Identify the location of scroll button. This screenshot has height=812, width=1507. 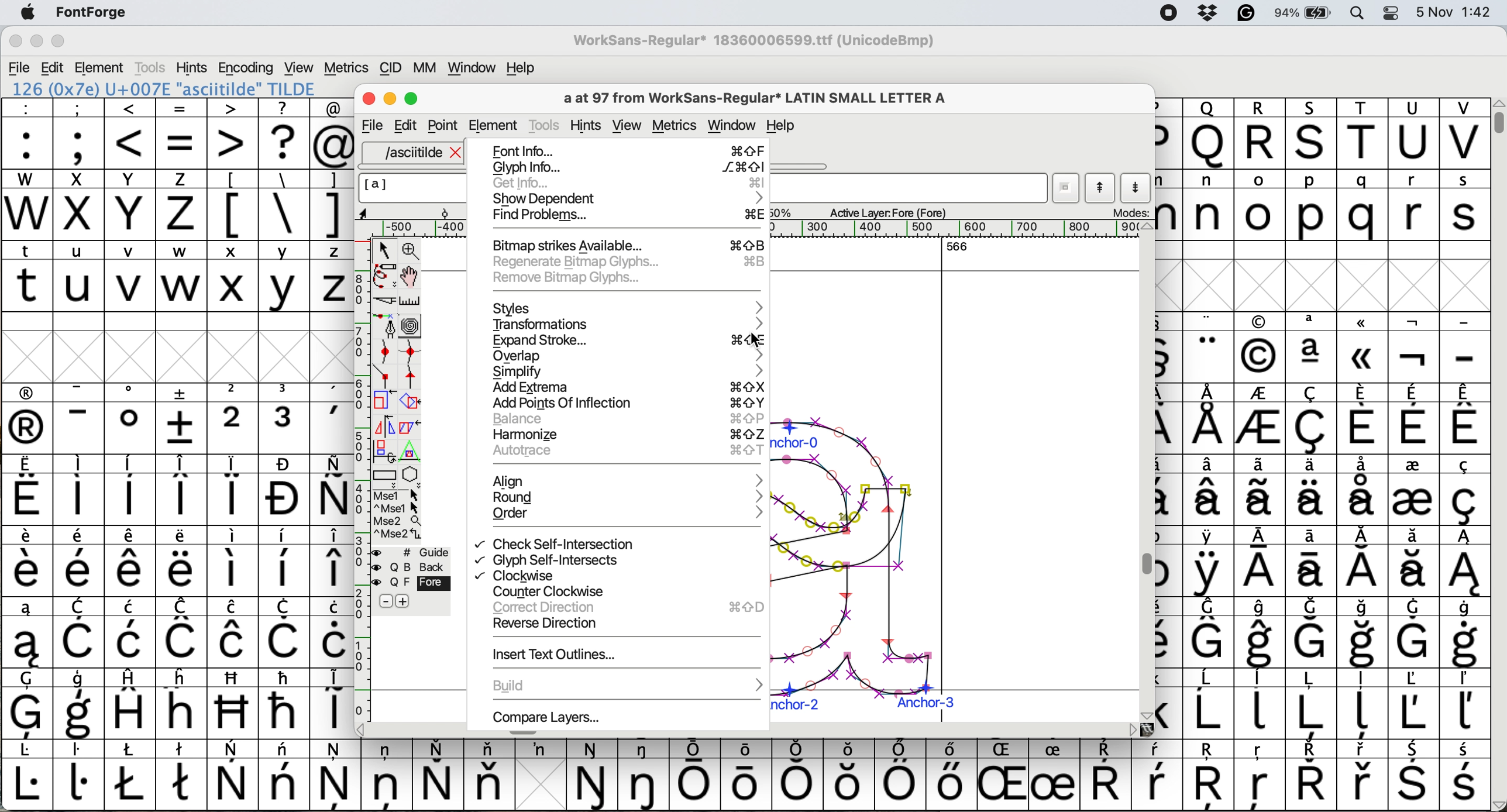
(1147, 227).